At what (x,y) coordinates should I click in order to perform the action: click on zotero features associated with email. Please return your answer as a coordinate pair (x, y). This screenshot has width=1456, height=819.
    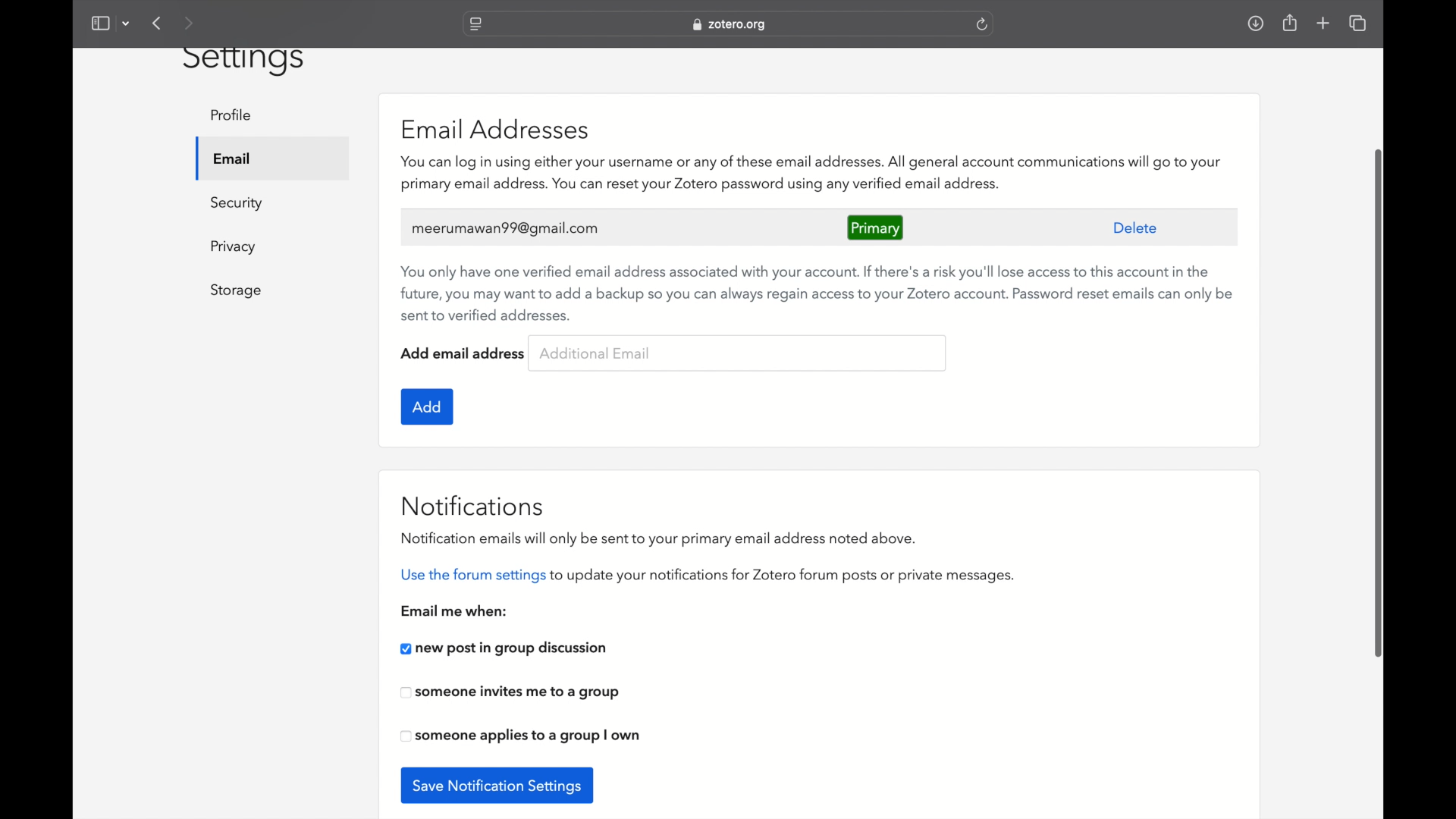
    Looking at the image, I should click on (809, 172).